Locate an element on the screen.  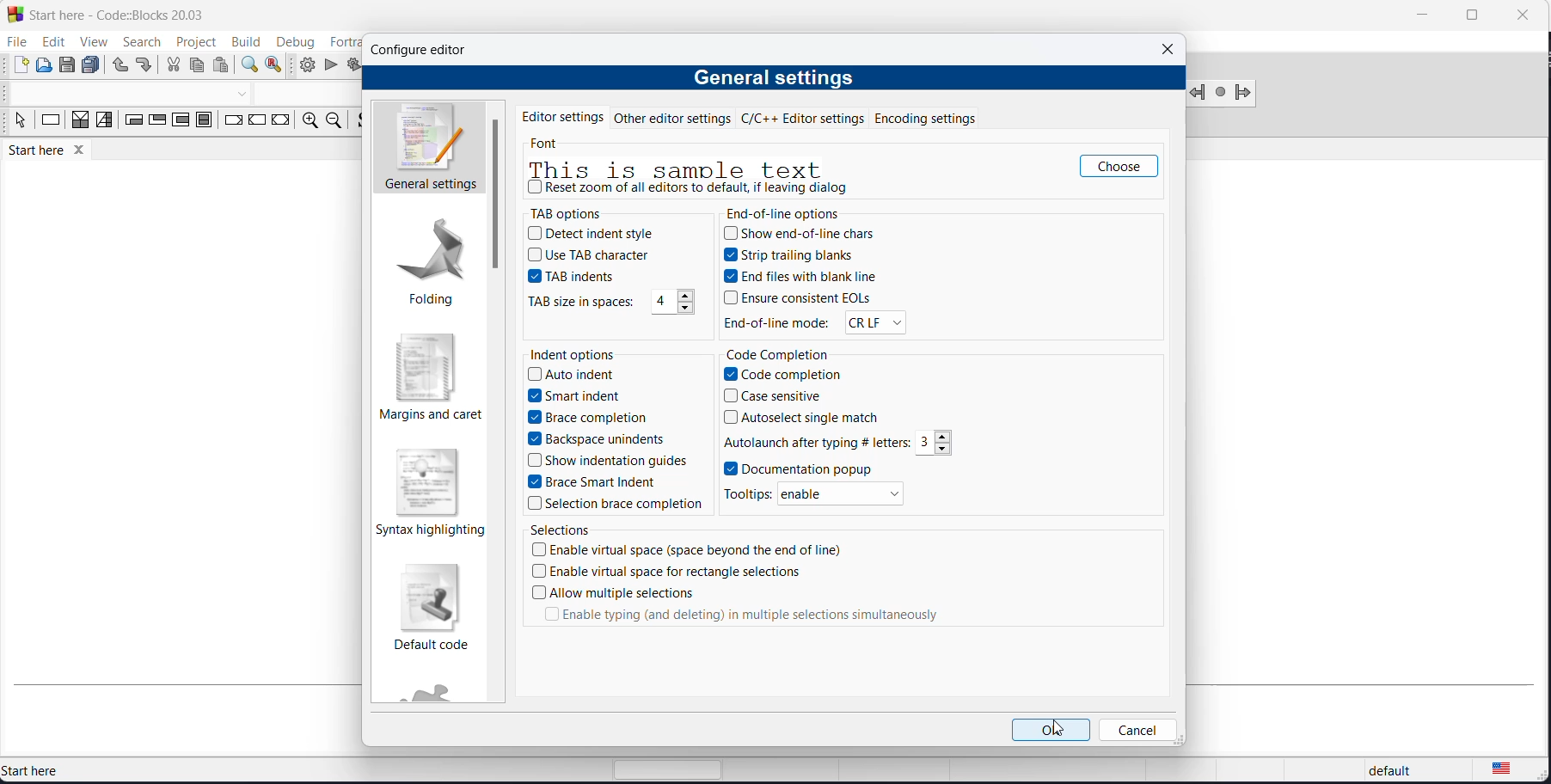
project is located at coordinates (193, 42).